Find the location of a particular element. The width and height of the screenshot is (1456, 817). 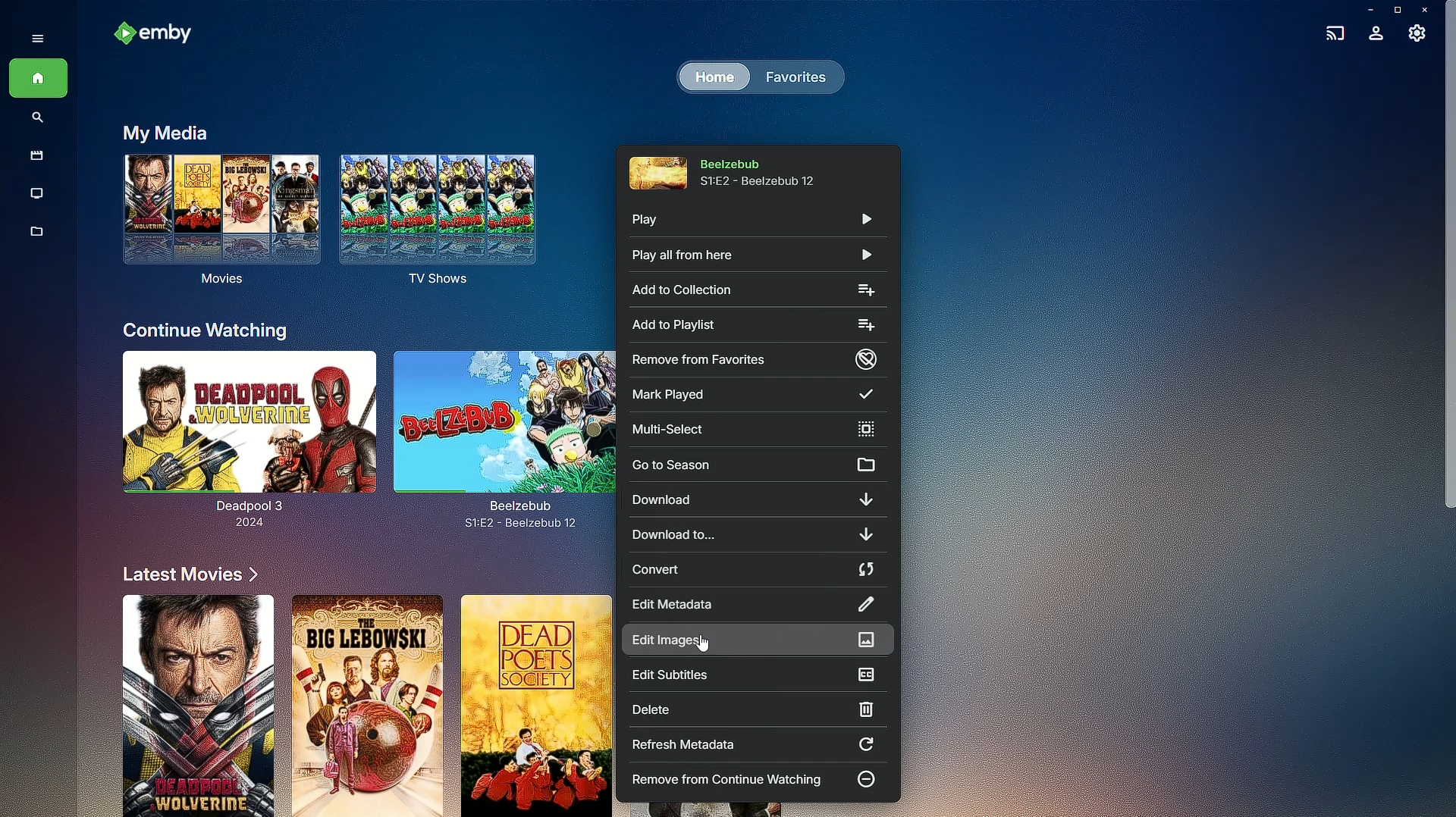

Remove from favorites is located at coordinates (756, 359).